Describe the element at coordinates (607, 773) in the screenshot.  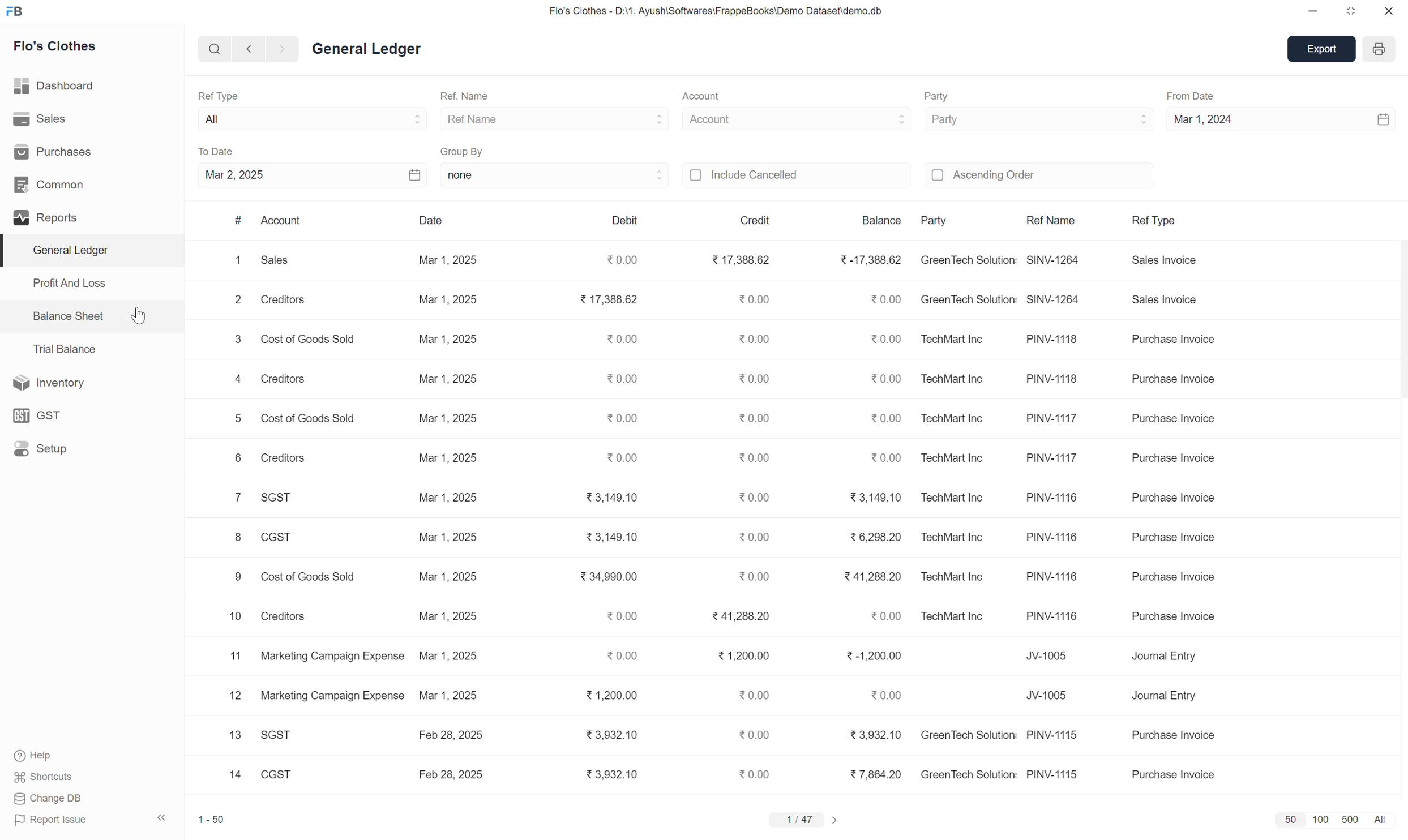
I see `3,932.10` at that location.